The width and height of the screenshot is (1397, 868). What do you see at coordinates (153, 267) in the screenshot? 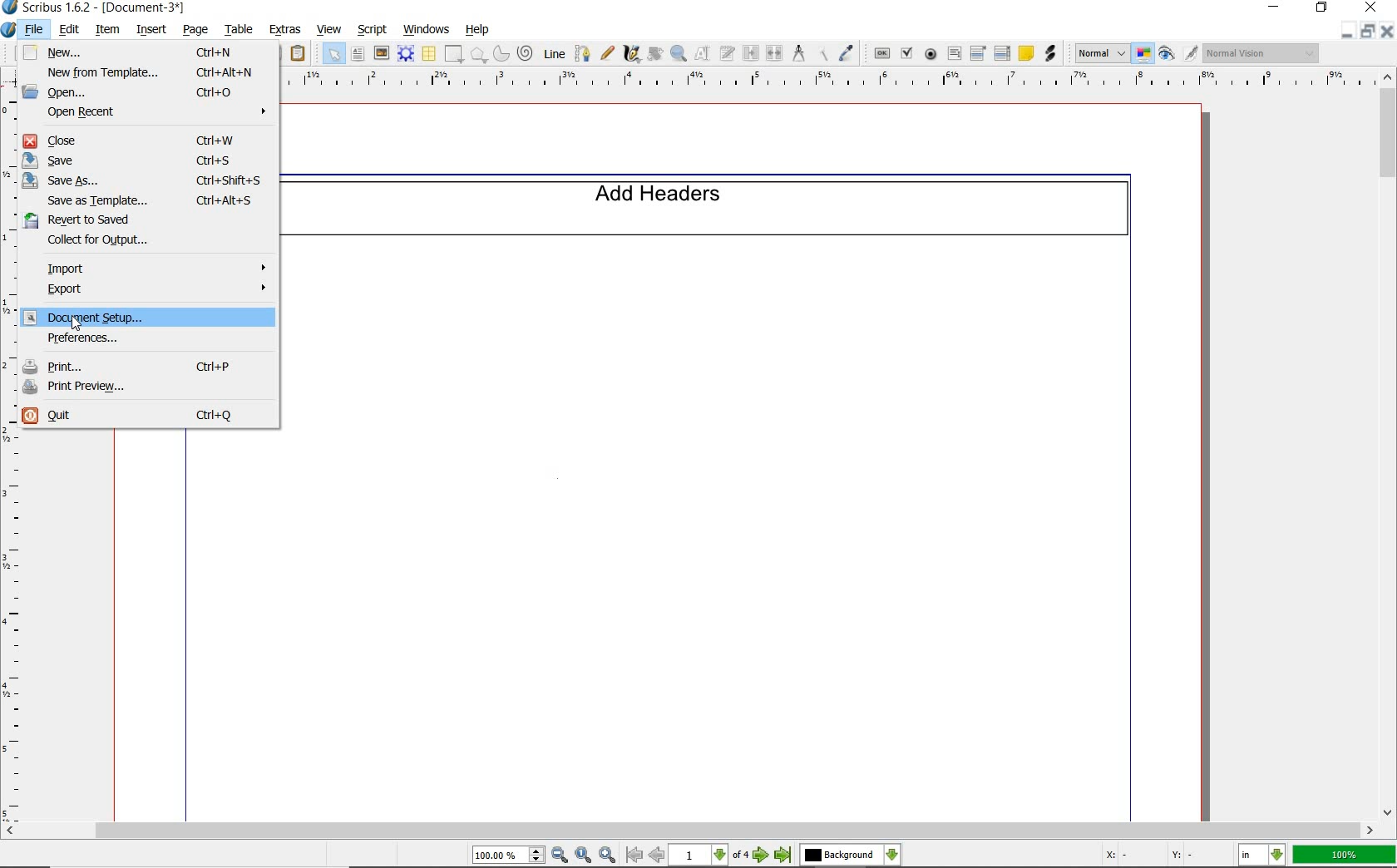
I see `import` at bounding box center [153, 267].